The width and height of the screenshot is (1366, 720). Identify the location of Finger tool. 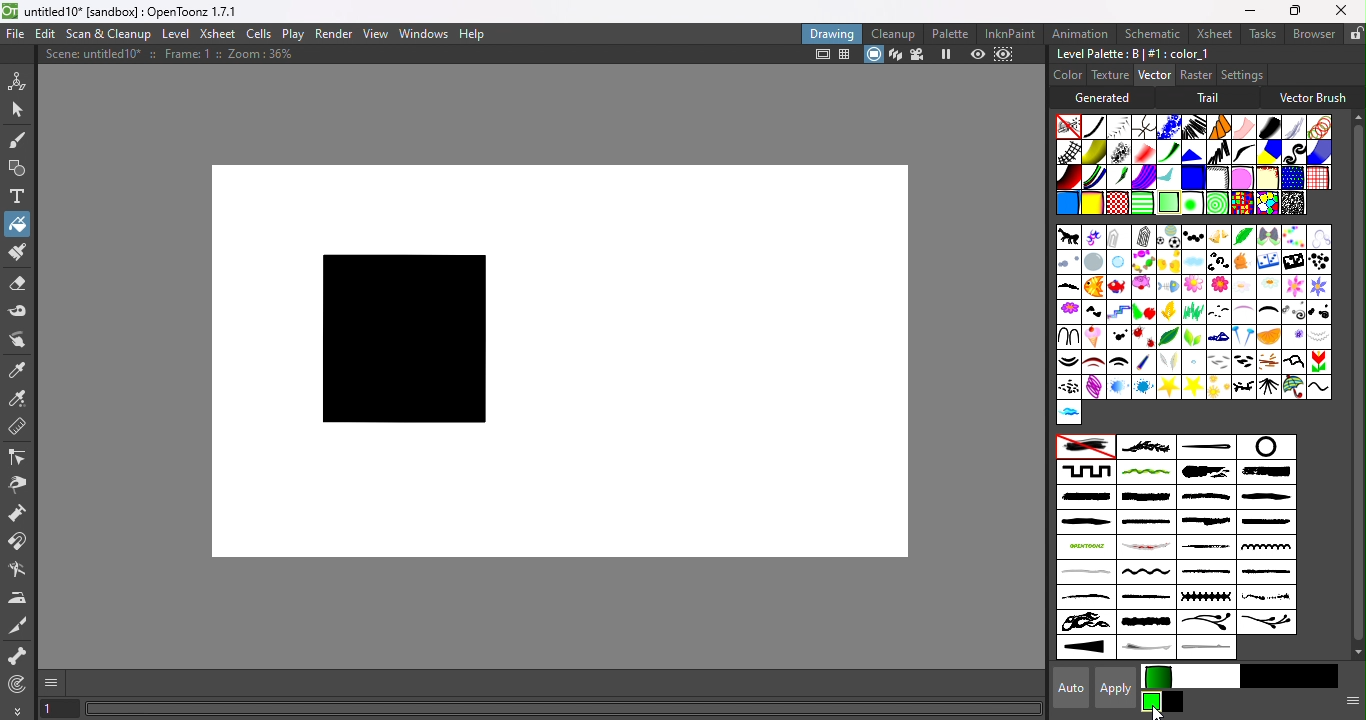
(22, 341).